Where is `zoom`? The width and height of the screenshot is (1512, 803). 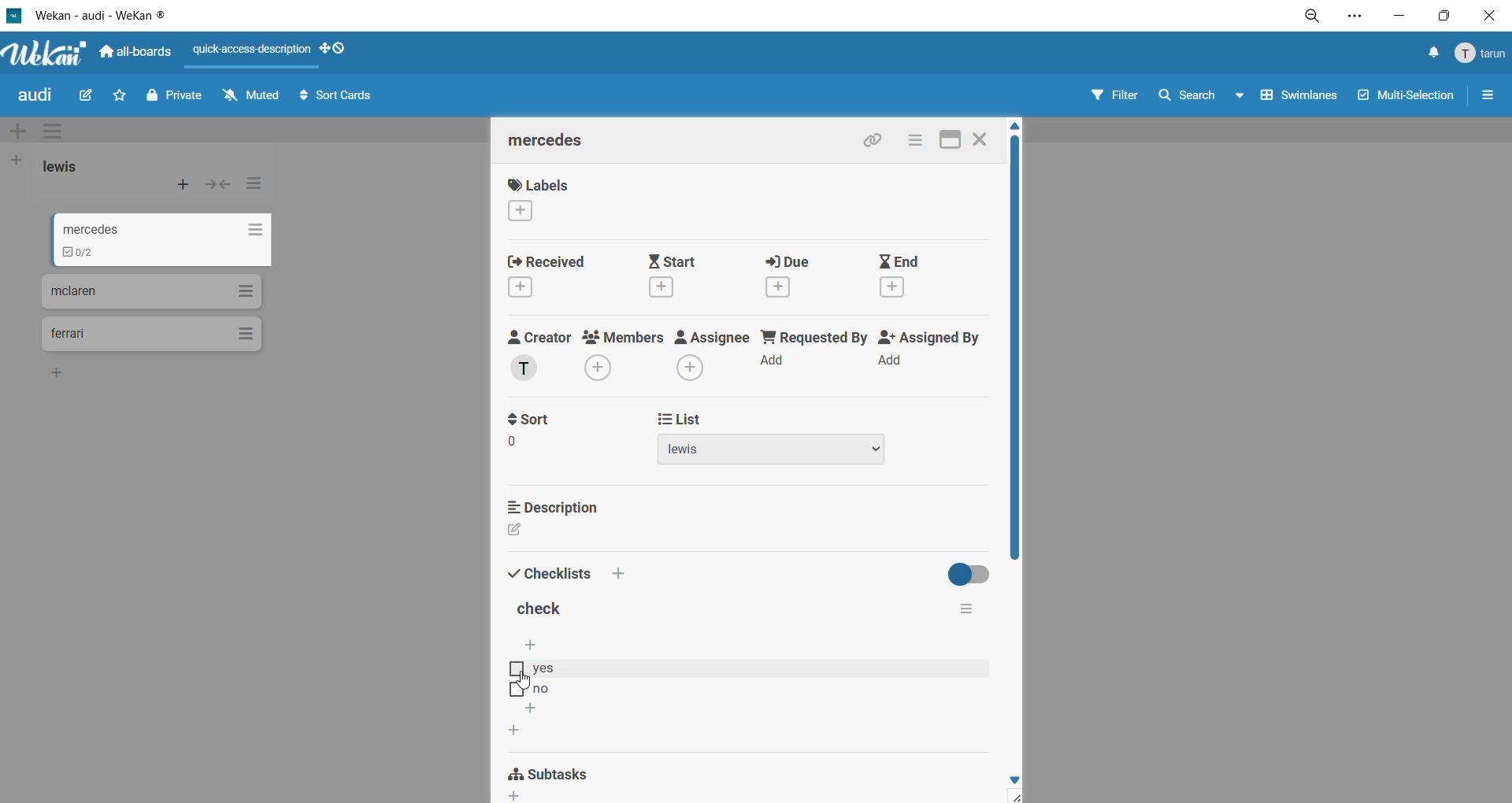
zoom is located at coordinates (1314, 17).